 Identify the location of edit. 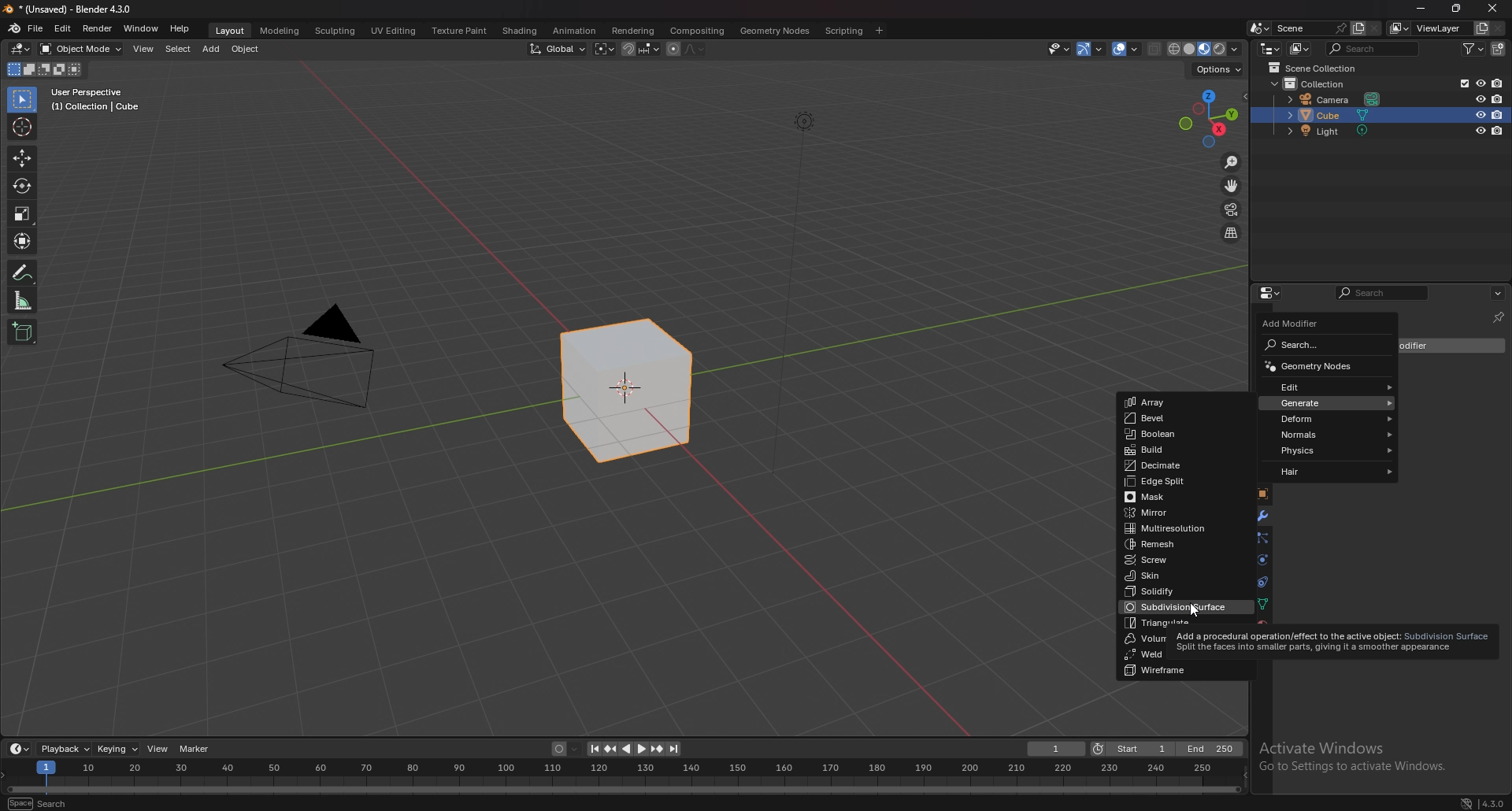
(63, 28).